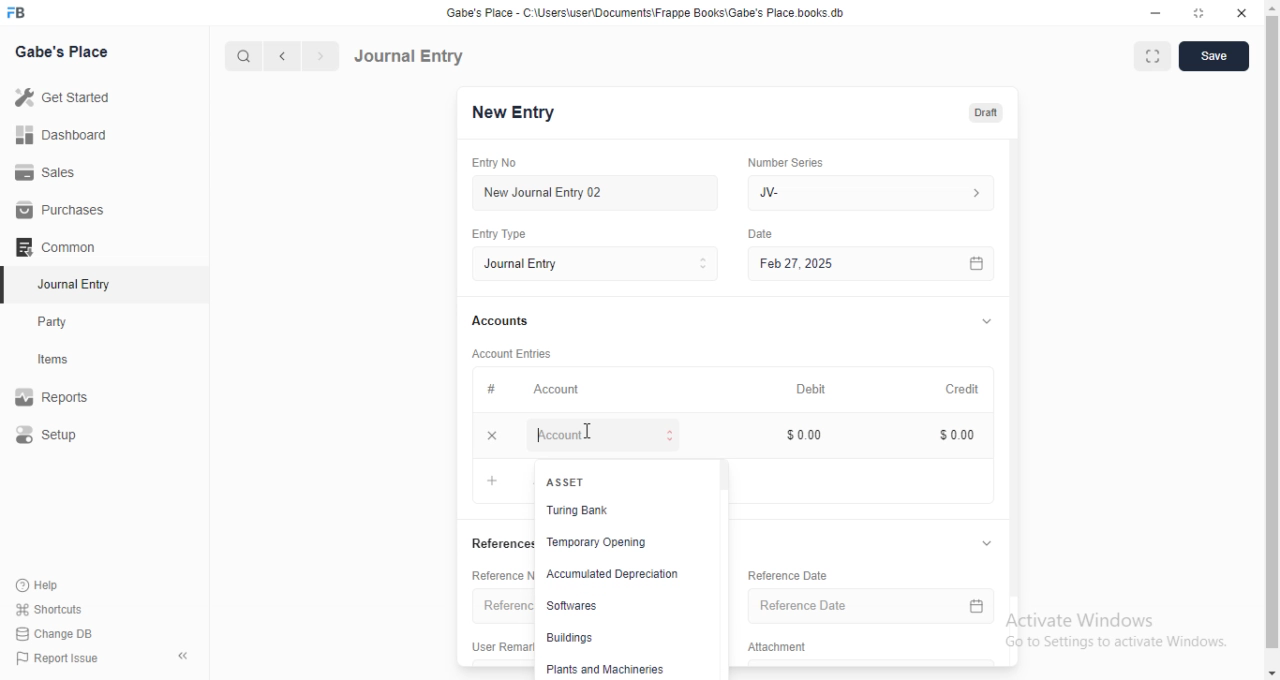 This screenshot has height=680, width=1280. Describe the element at coordinates (570, 605) in the screenshot. I see `Softwares` at that location.